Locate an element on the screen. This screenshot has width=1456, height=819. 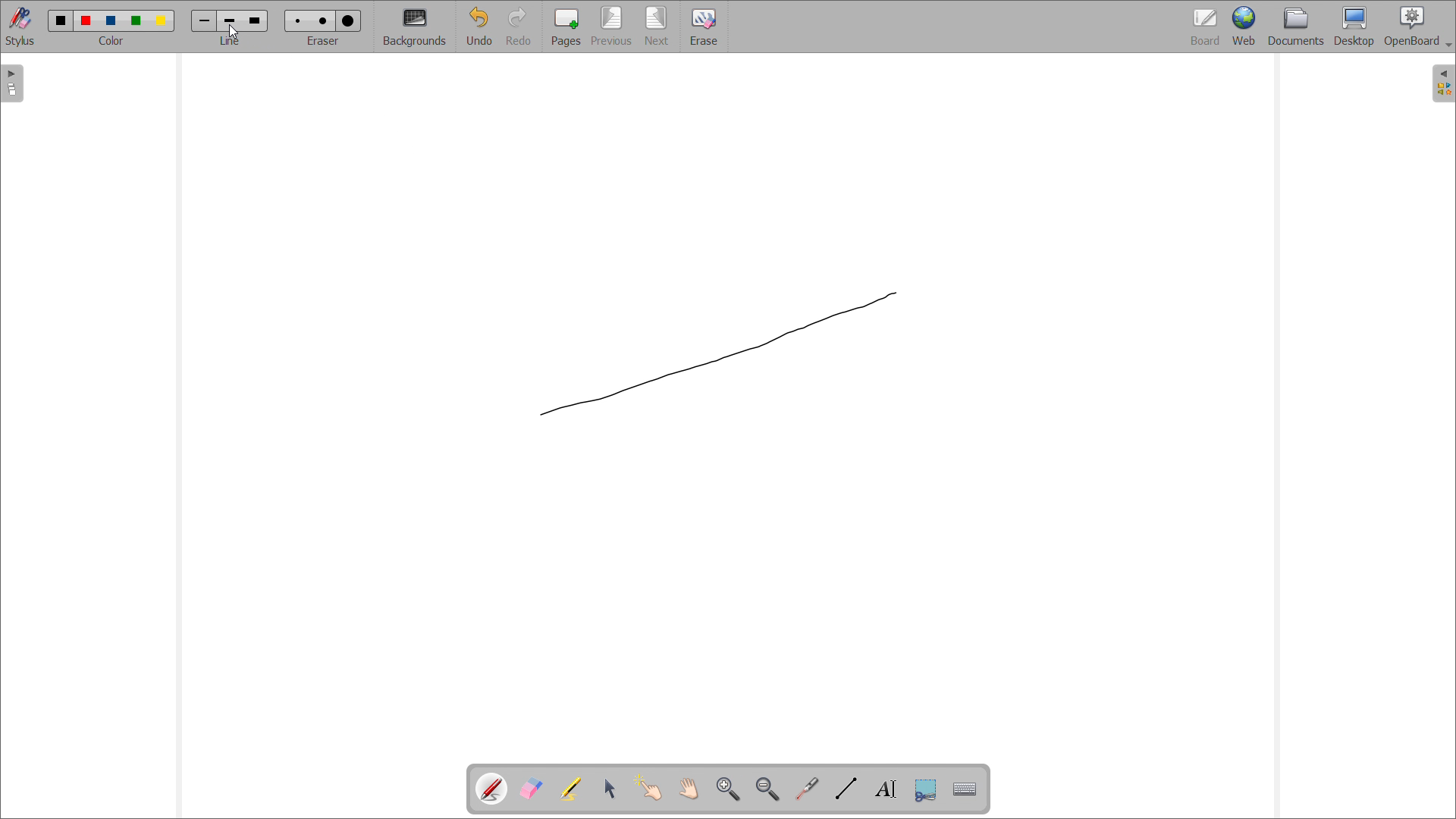
undo is located at coordinates (479, 26).